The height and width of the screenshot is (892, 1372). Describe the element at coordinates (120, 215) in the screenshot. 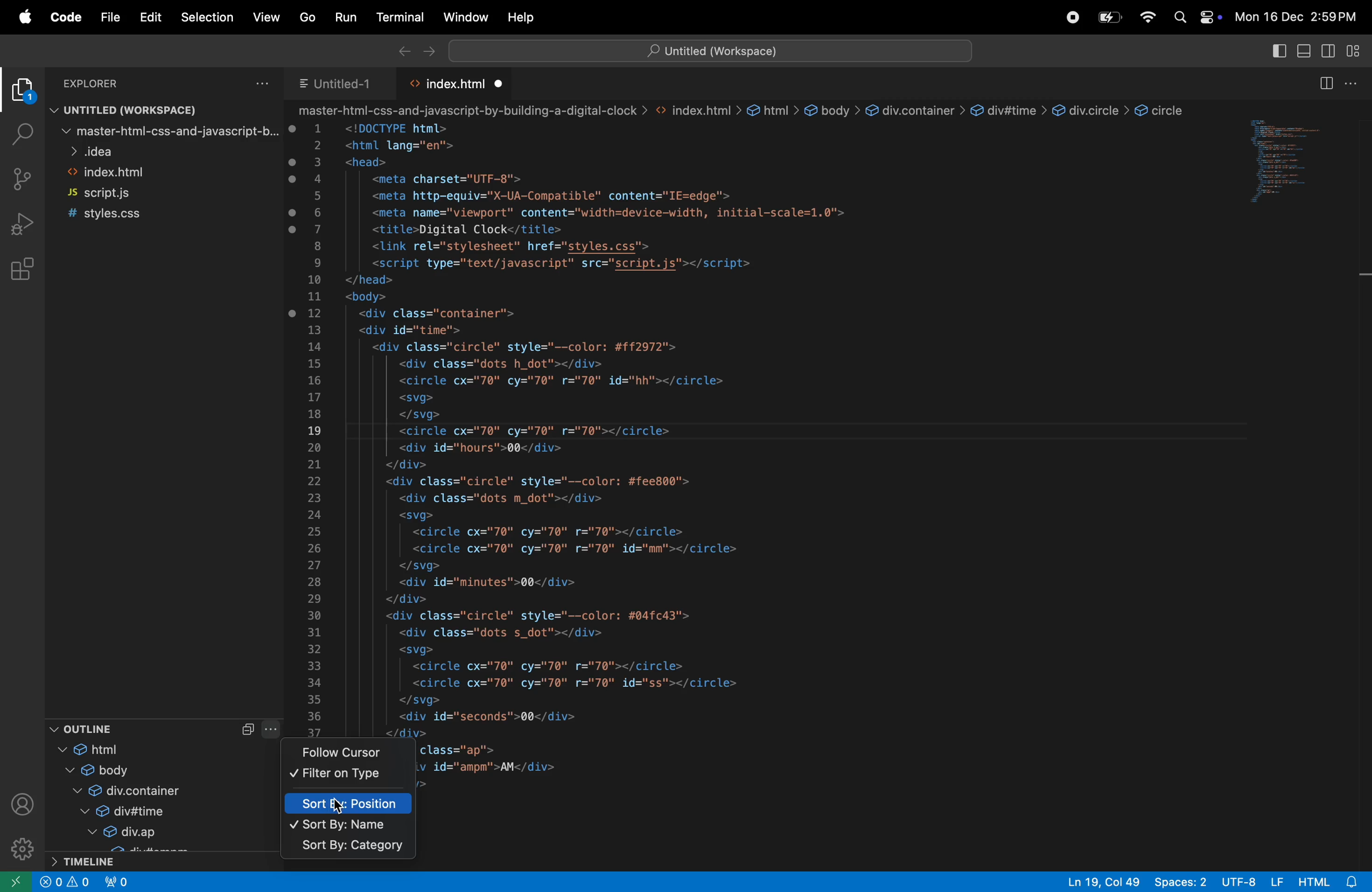

I see `style.css` at that location.